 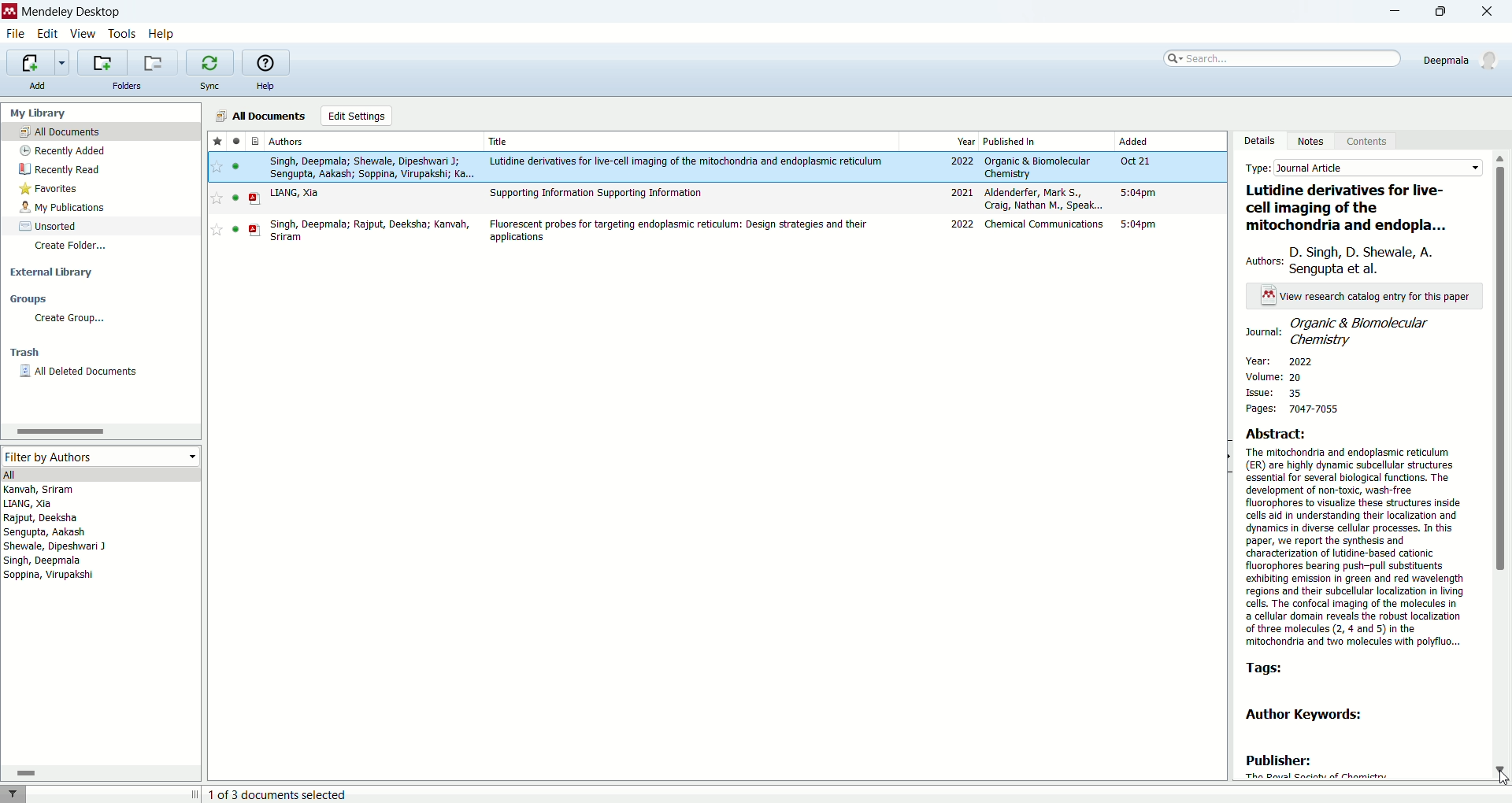 I want to click on search, so click(x=1280, y=58).